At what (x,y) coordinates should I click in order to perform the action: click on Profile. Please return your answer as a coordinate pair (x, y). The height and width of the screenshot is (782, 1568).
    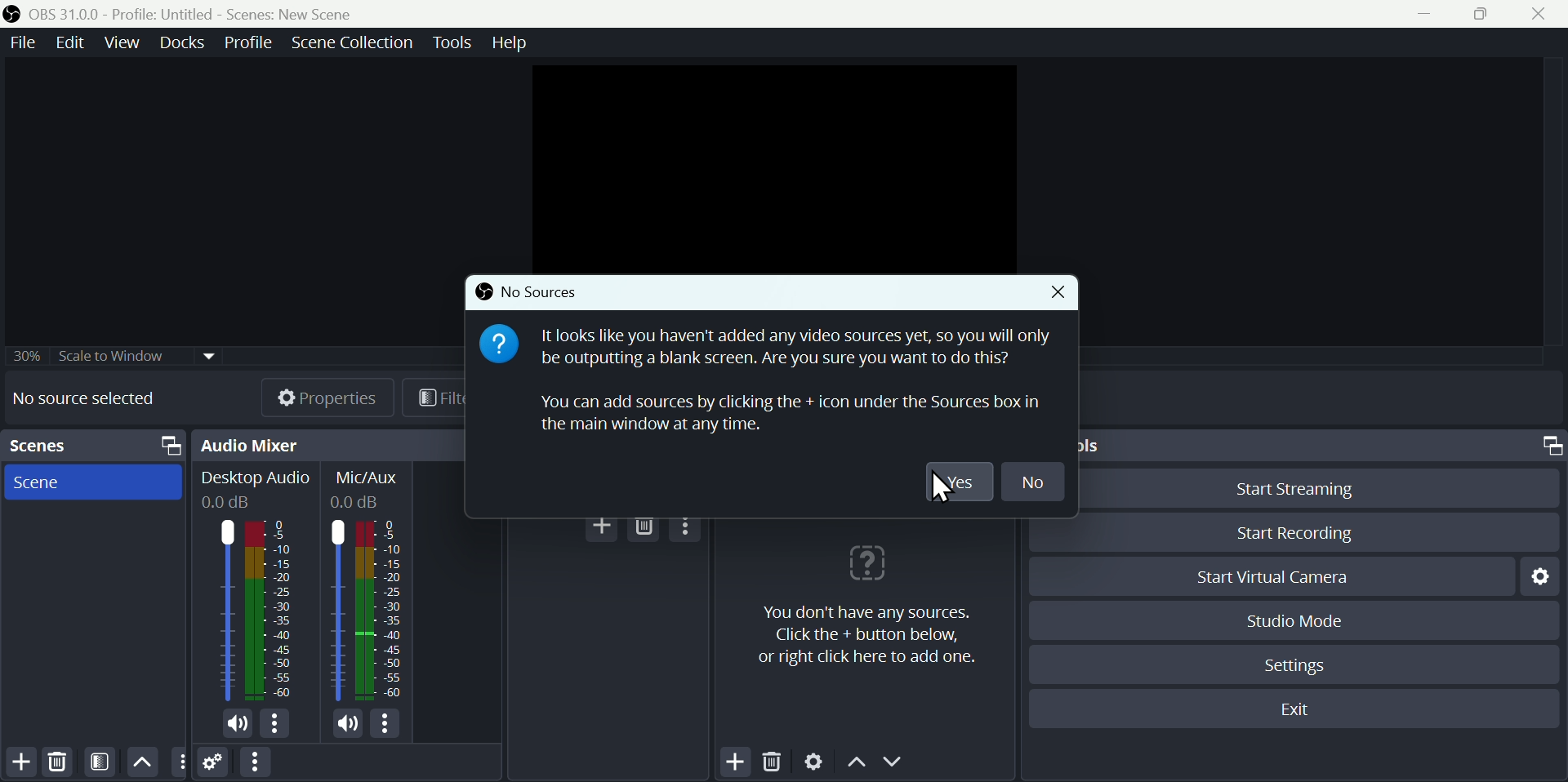
    Looking at the image, I should click on (248, 42).